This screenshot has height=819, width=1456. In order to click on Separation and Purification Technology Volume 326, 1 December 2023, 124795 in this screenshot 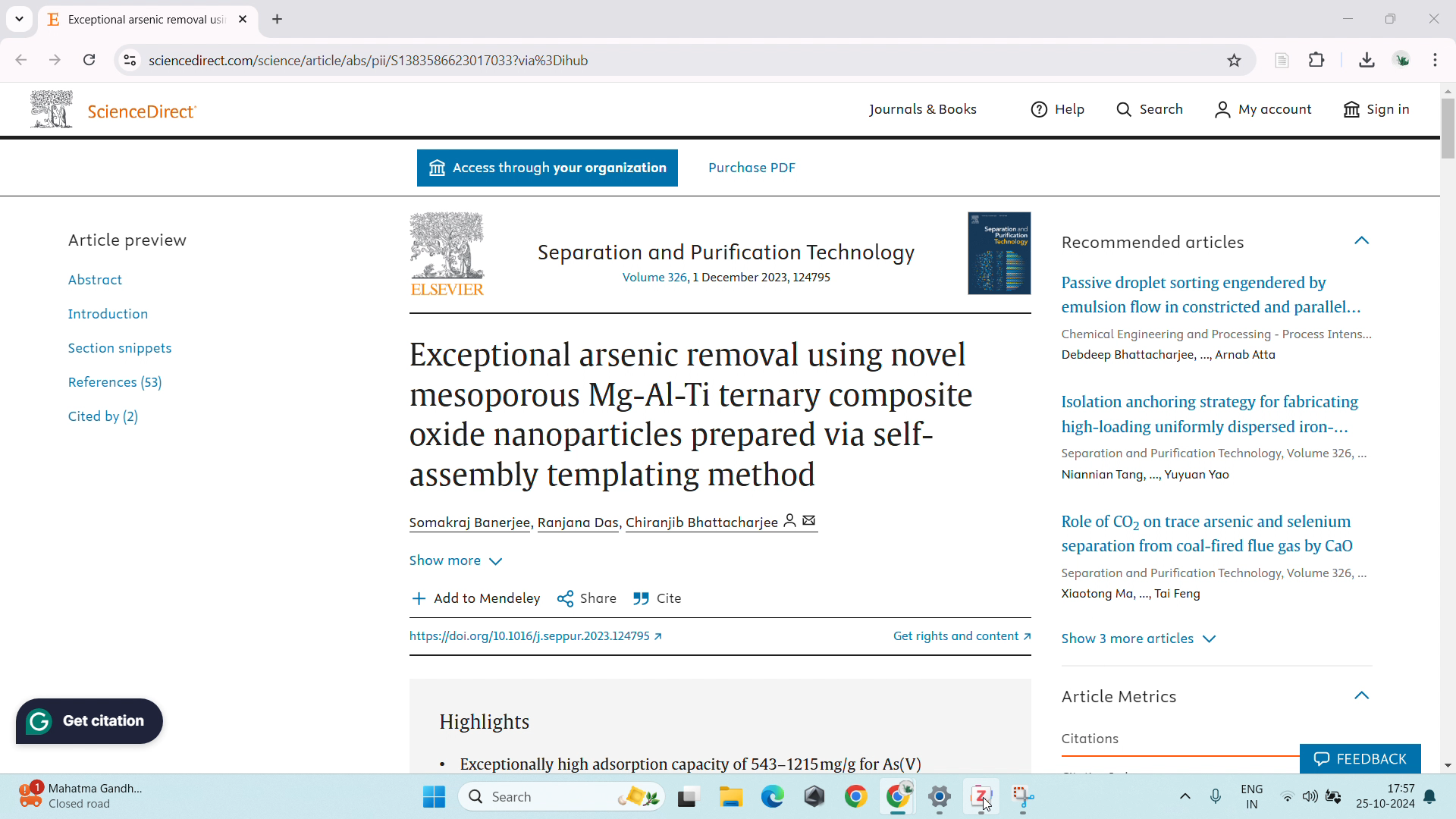, I will do `click(724, 262)`.